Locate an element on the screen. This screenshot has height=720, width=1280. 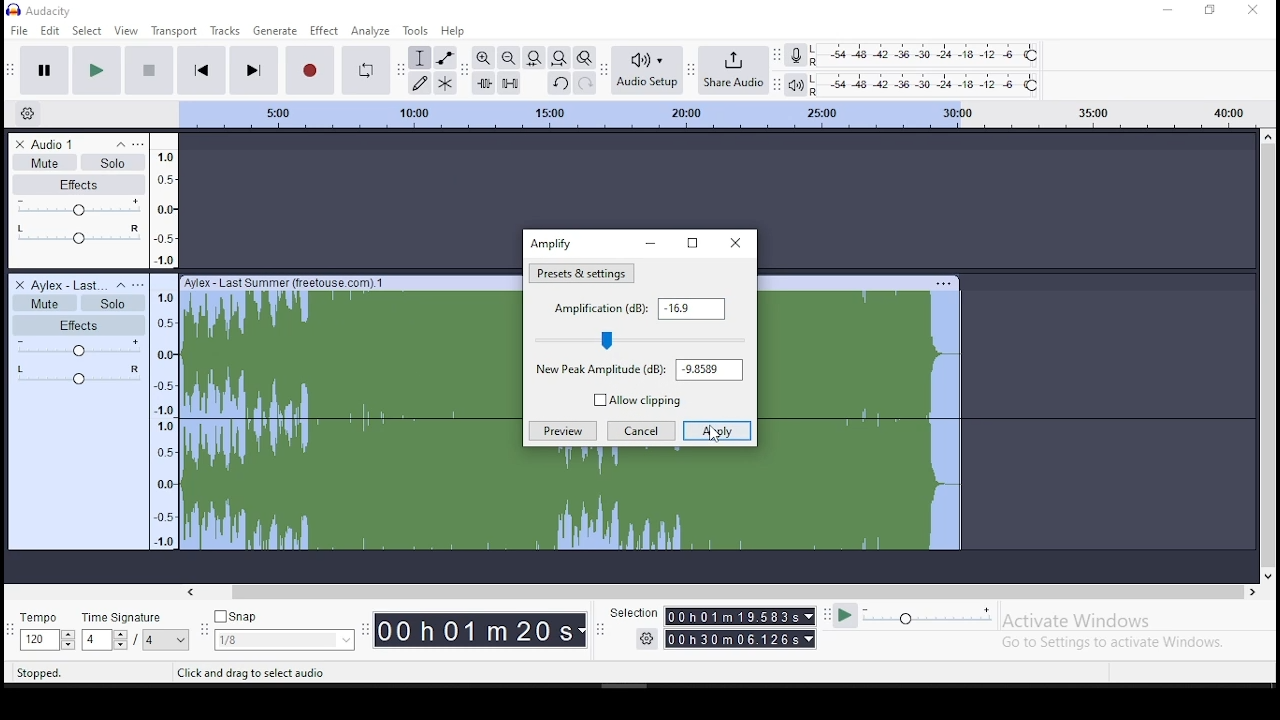
rime signature is located at coordinates (136, 632).